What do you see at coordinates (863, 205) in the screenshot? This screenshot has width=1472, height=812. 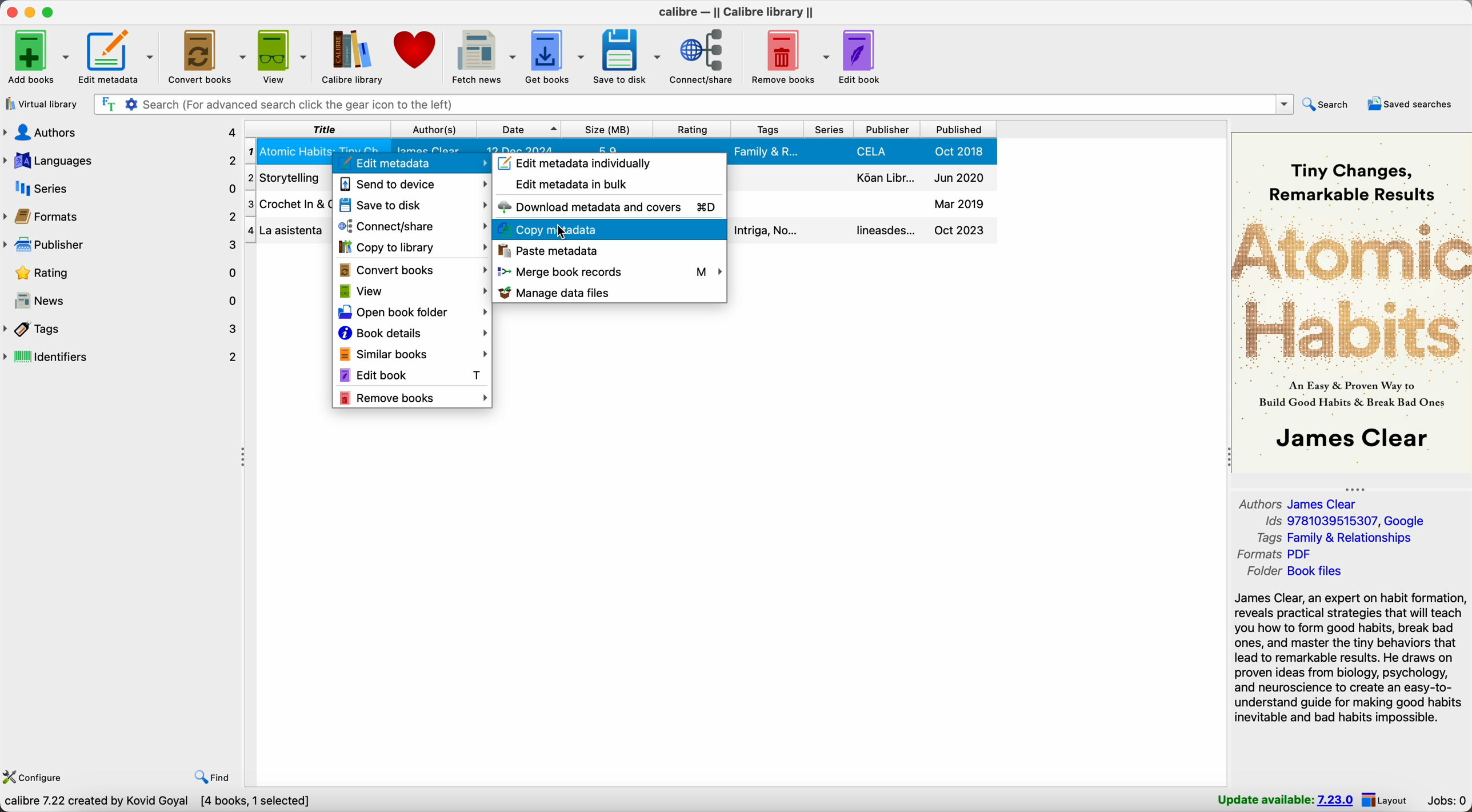 I see `crochet in & out book details` at bounding box center [863, 205].